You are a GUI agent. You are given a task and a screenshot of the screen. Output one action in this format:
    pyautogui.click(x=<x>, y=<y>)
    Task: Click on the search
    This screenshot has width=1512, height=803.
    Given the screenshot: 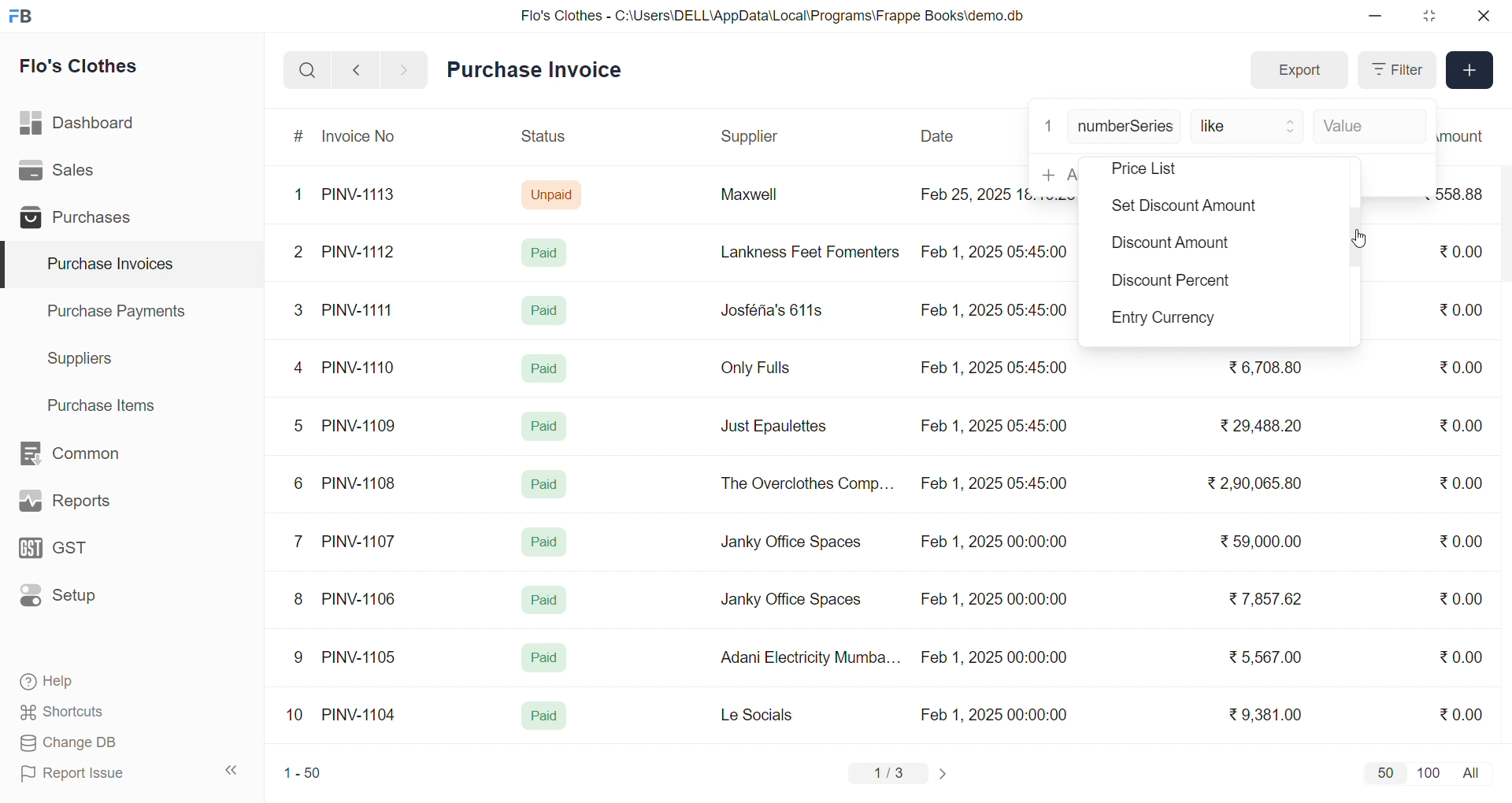 What is the action you would take?
    pyautogui.click(x=307, y=70)
    